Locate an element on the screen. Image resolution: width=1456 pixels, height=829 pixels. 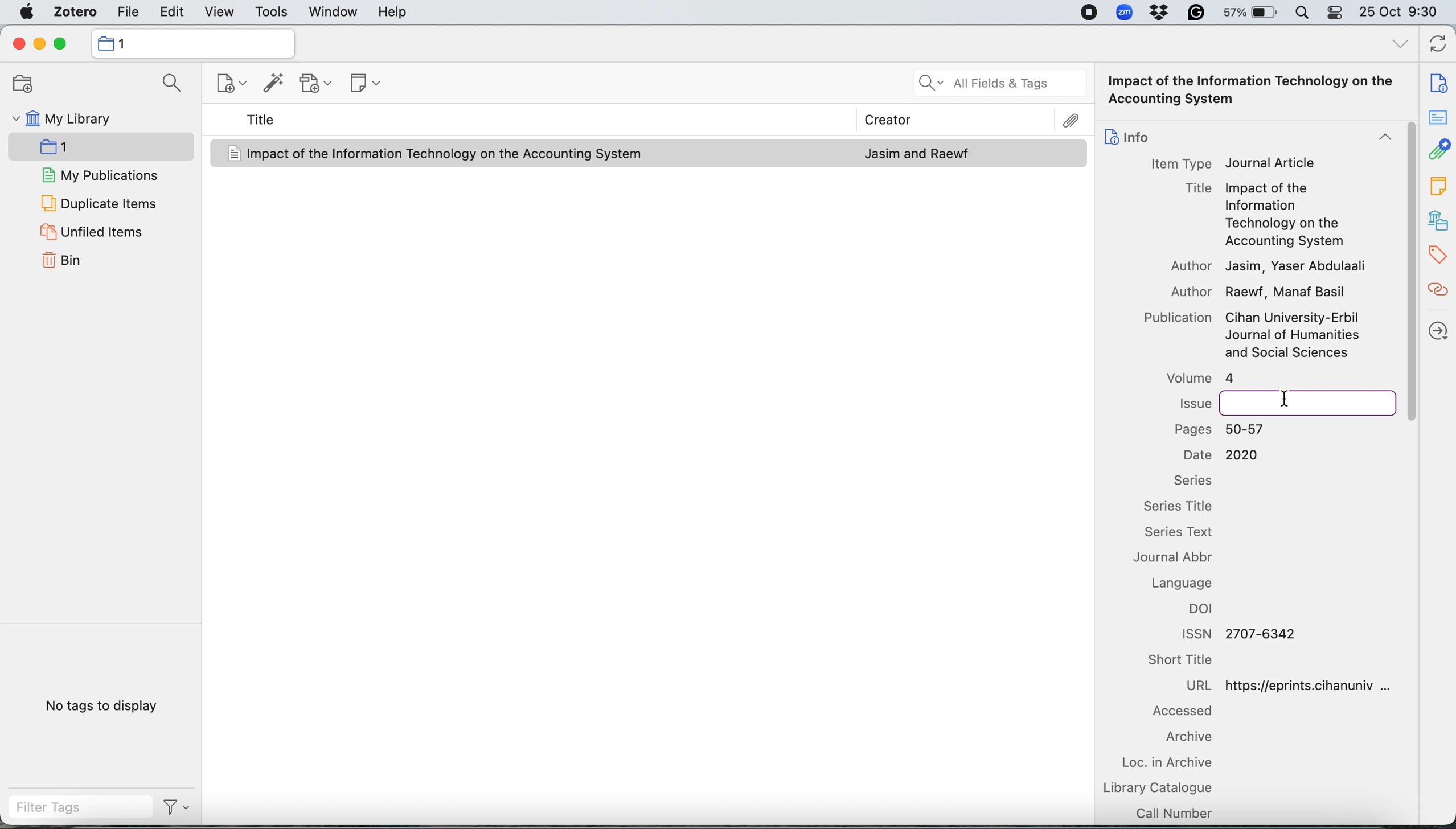
language is located at coordinates (1189, 583).